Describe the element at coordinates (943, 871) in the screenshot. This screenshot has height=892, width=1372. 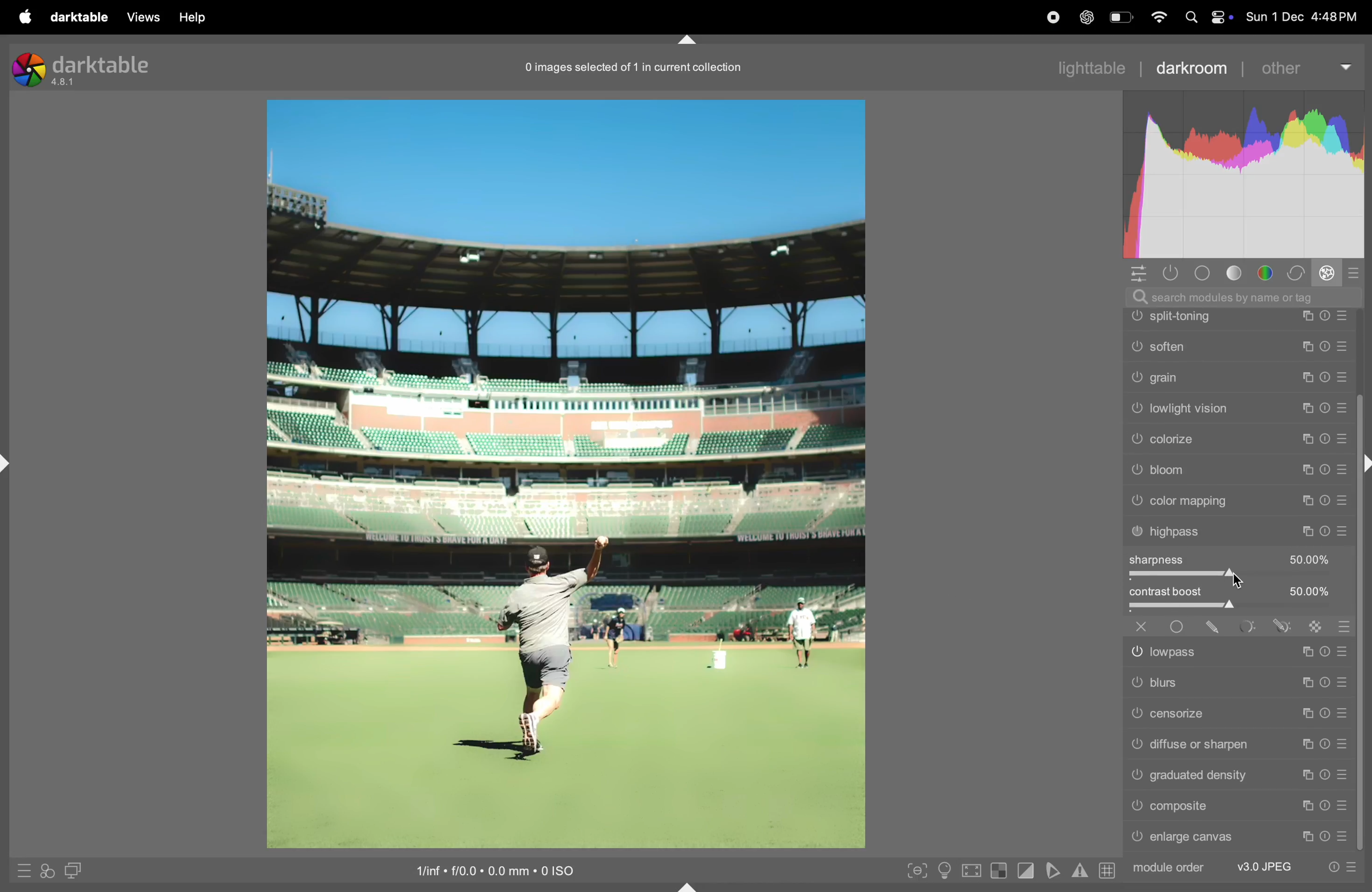
I see `toggle iso` at that location.